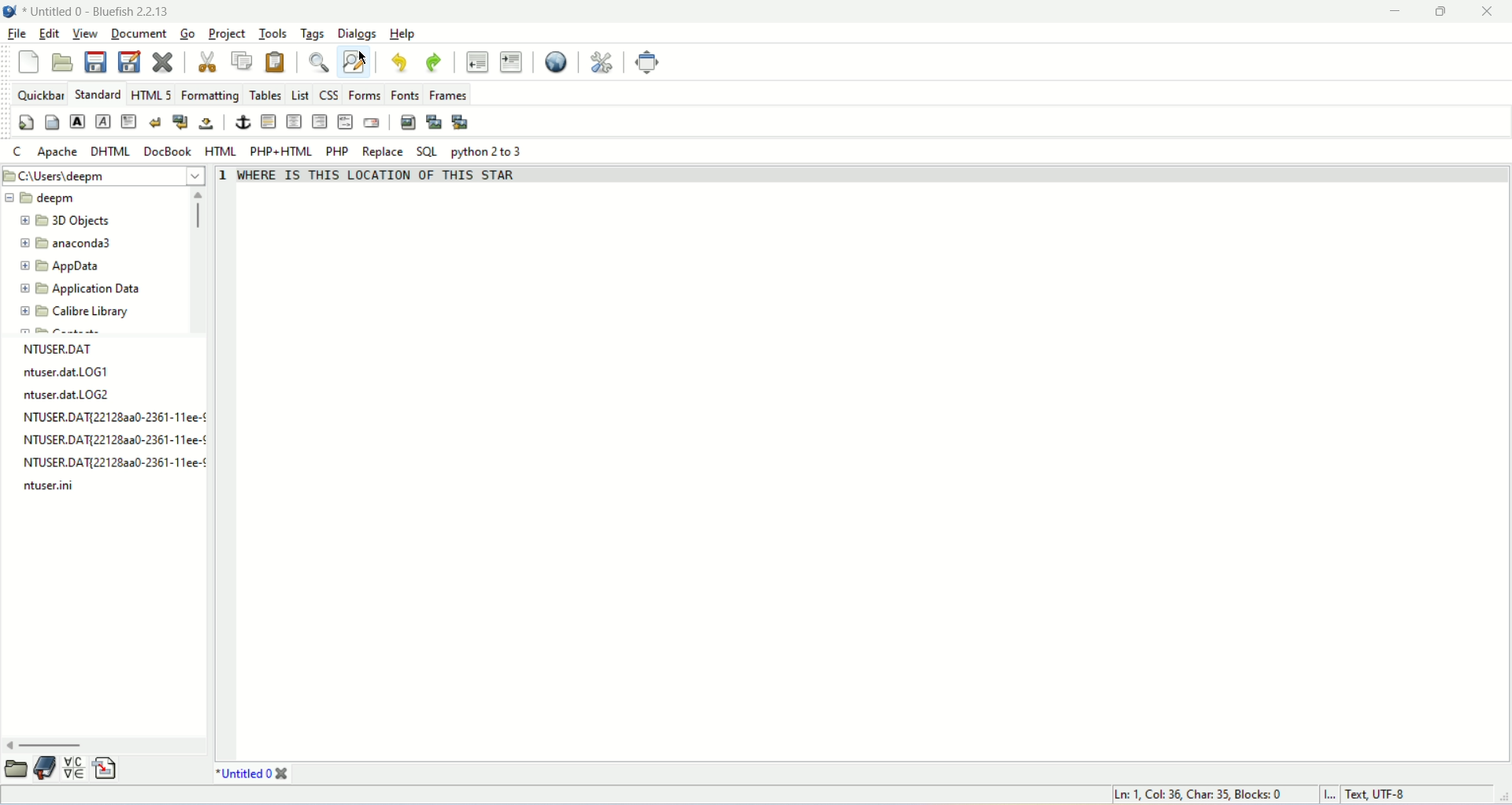 The width and height of the screenshot is (1512, 805). What do you see at coordinates (74, 768) in the screenshot?
I see `char map` at bounding box center [74, 768].